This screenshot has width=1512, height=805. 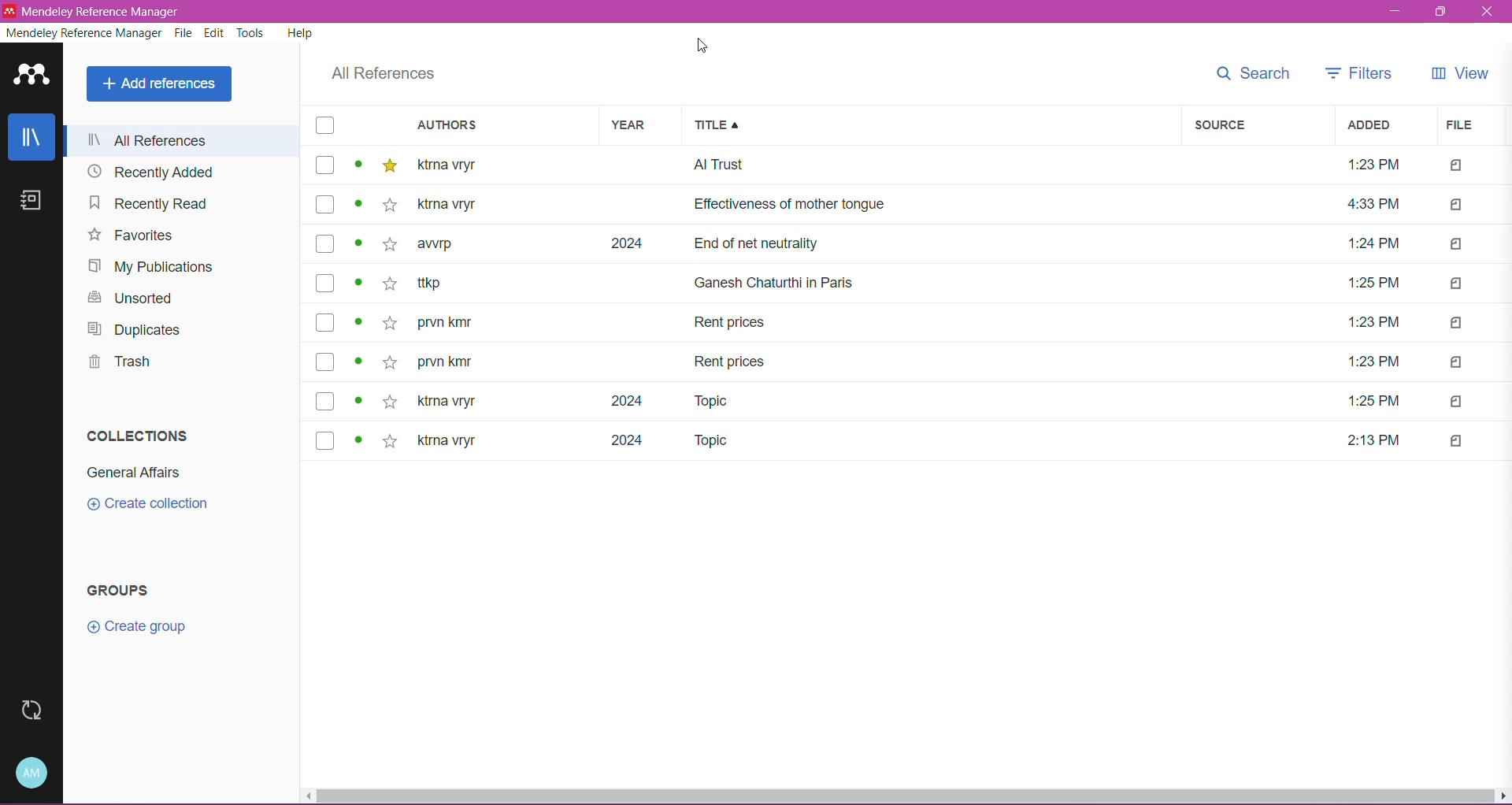 What do you see at coordinates (912, 168) in the screenshot?
I see `ktrna vryr Al Trust 1:23PM` at bounding box center [912, 168].